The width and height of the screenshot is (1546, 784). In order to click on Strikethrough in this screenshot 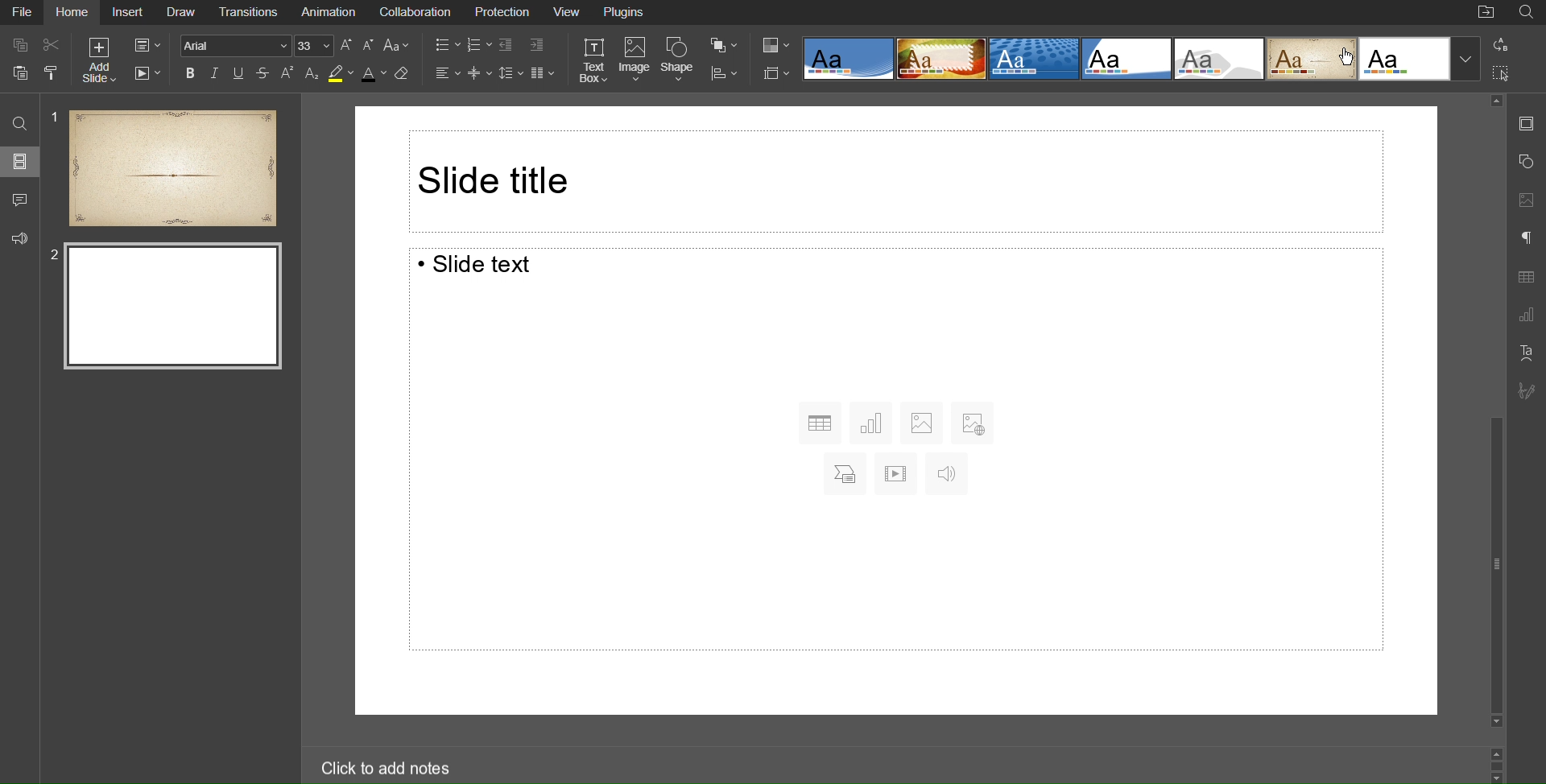, I will do `click(264, 74)`.